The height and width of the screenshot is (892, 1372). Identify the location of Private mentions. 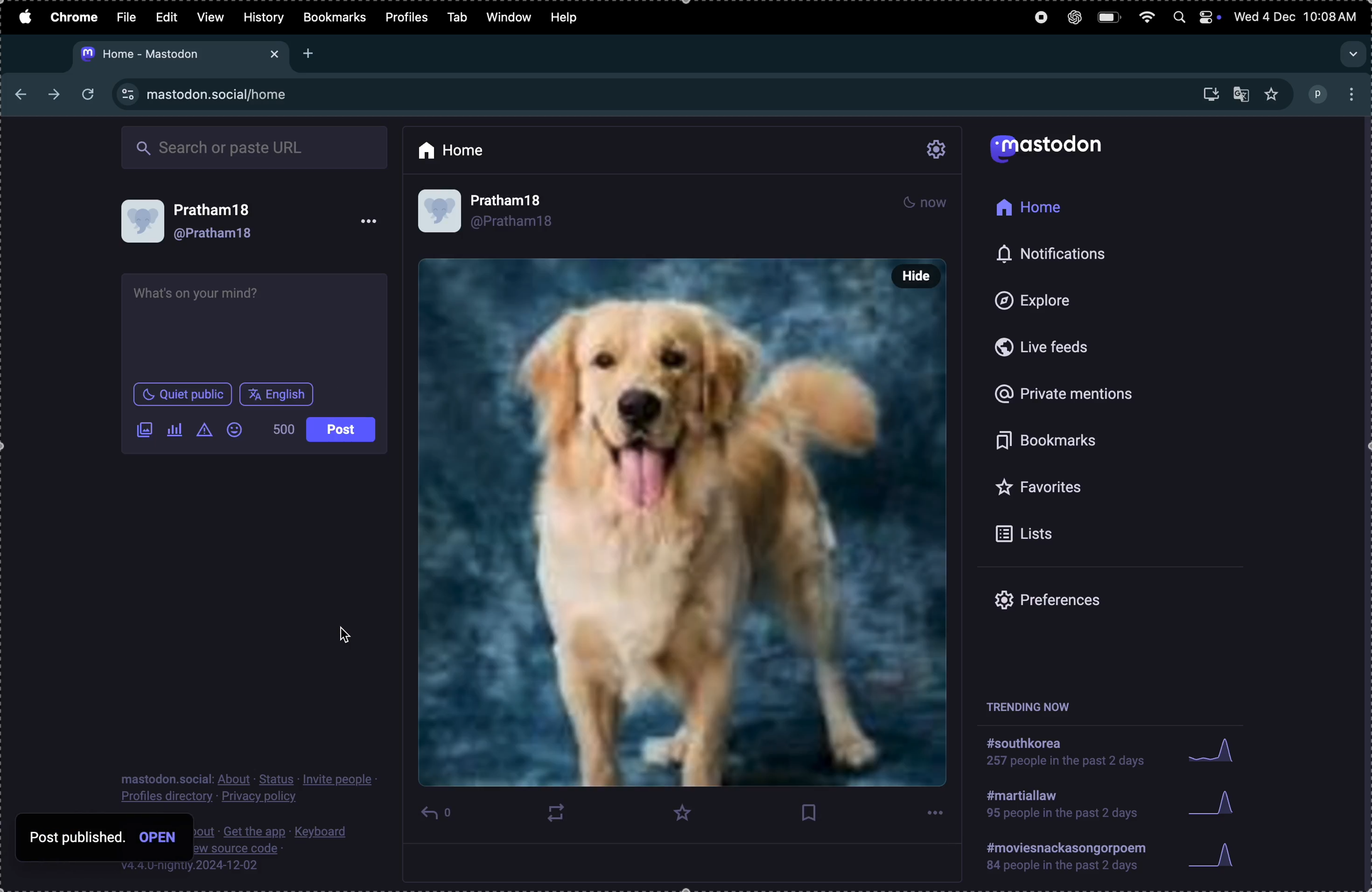
(1074, 393).